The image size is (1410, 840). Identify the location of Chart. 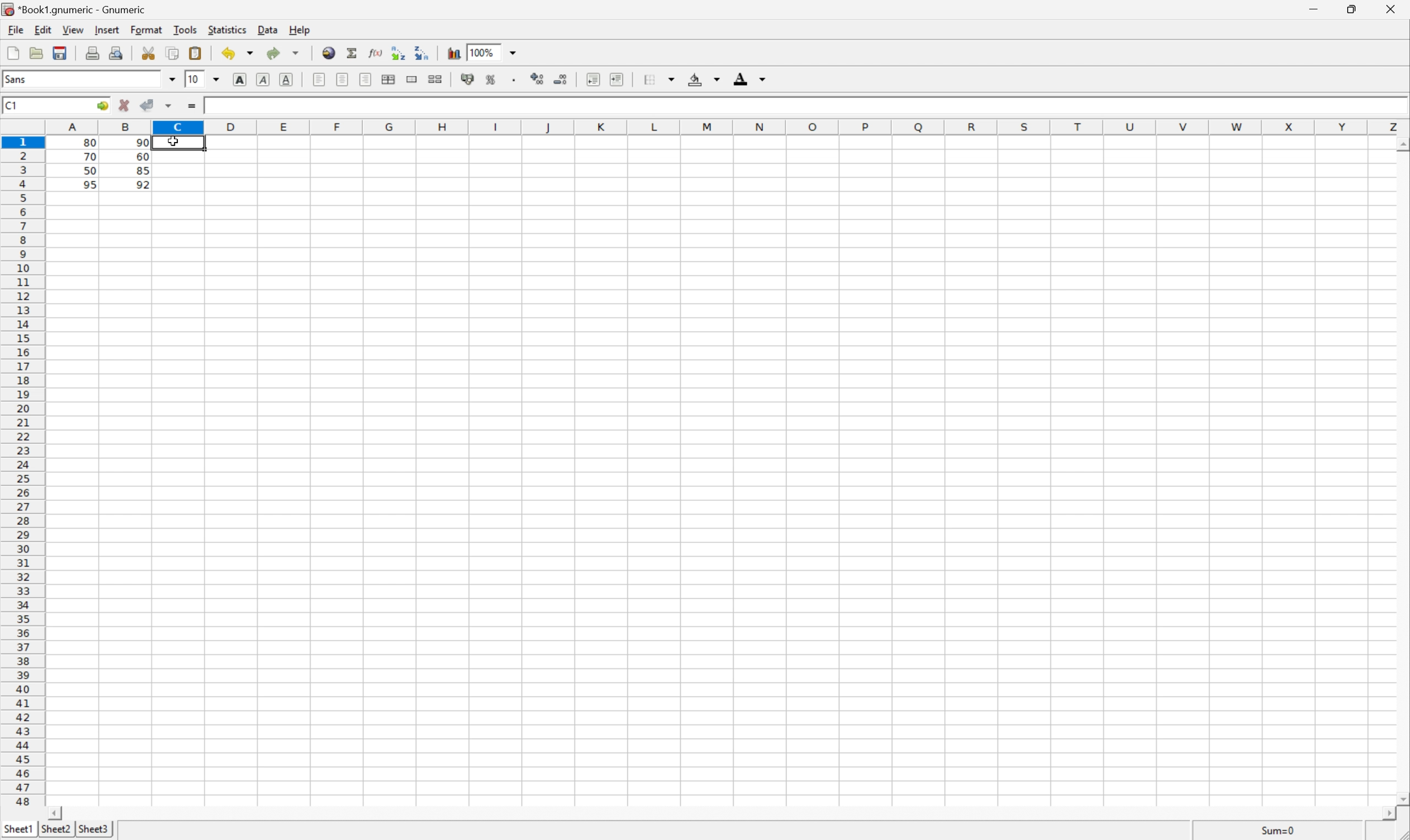
(451, 53).